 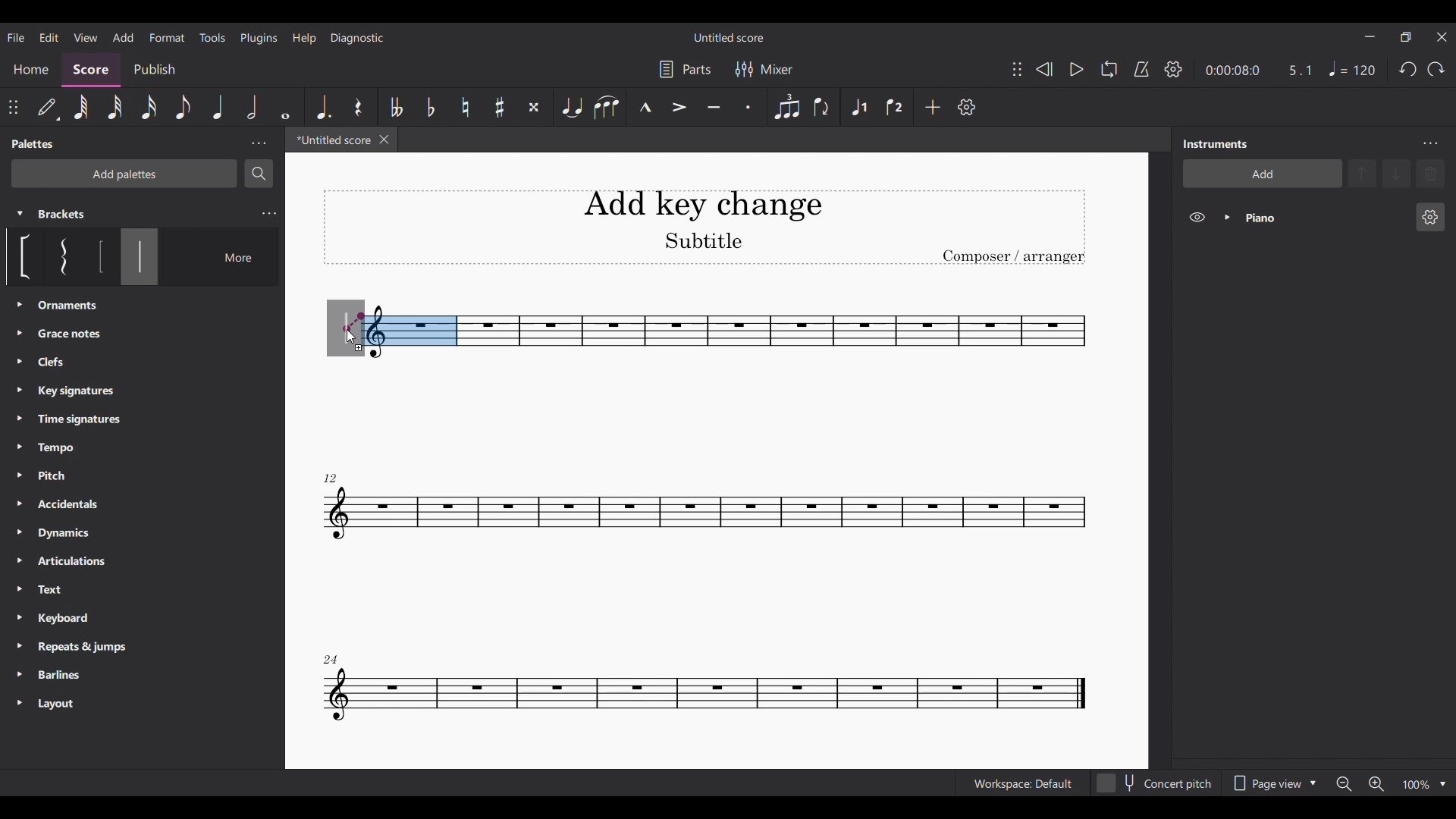 What do you see at coordinates (573, 107) in the screenshot?
I see `Tie` at bounding box center [573, 107].